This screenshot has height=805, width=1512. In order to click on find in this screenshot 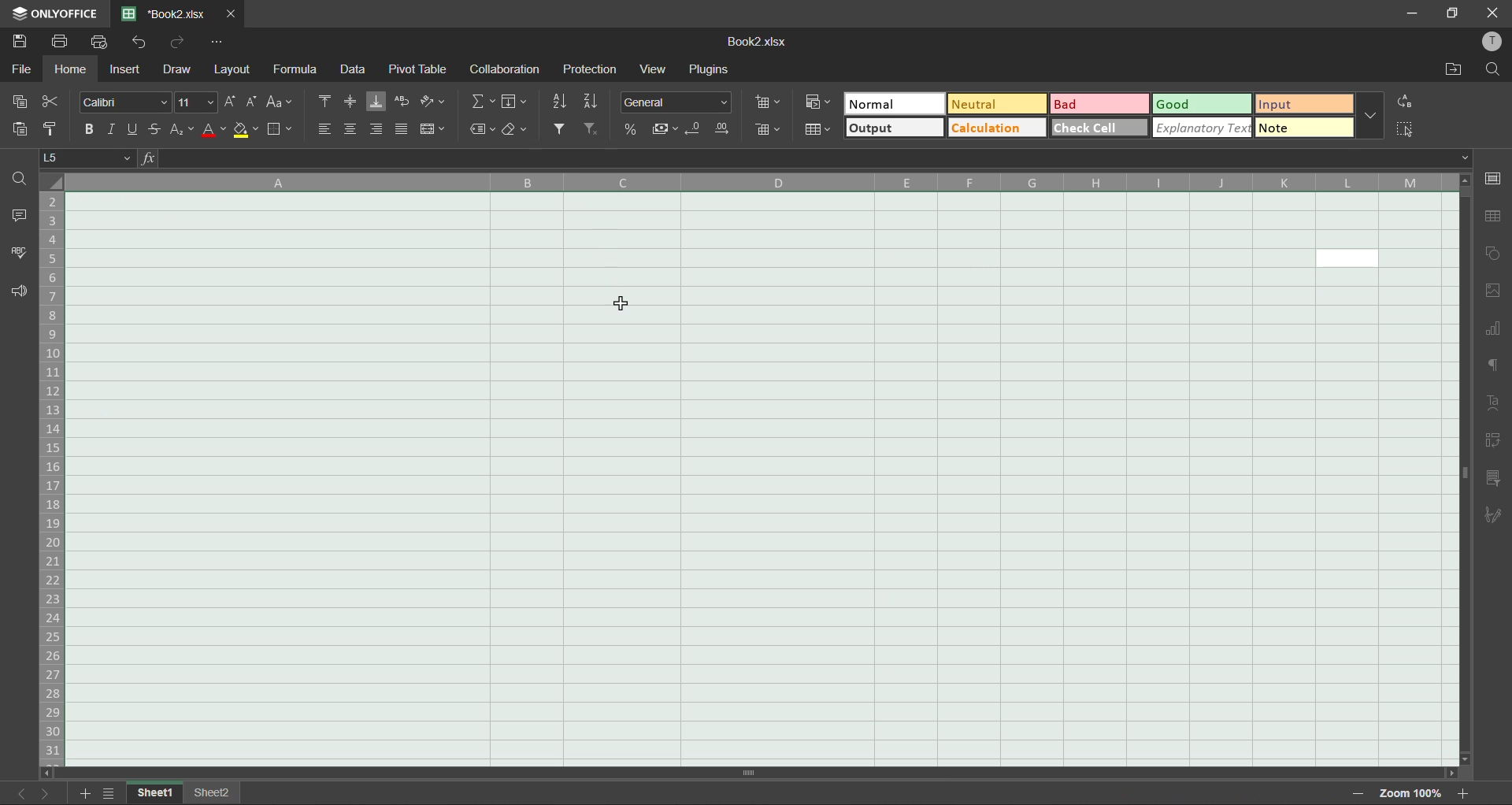, I will do `click(1495, 69)`.